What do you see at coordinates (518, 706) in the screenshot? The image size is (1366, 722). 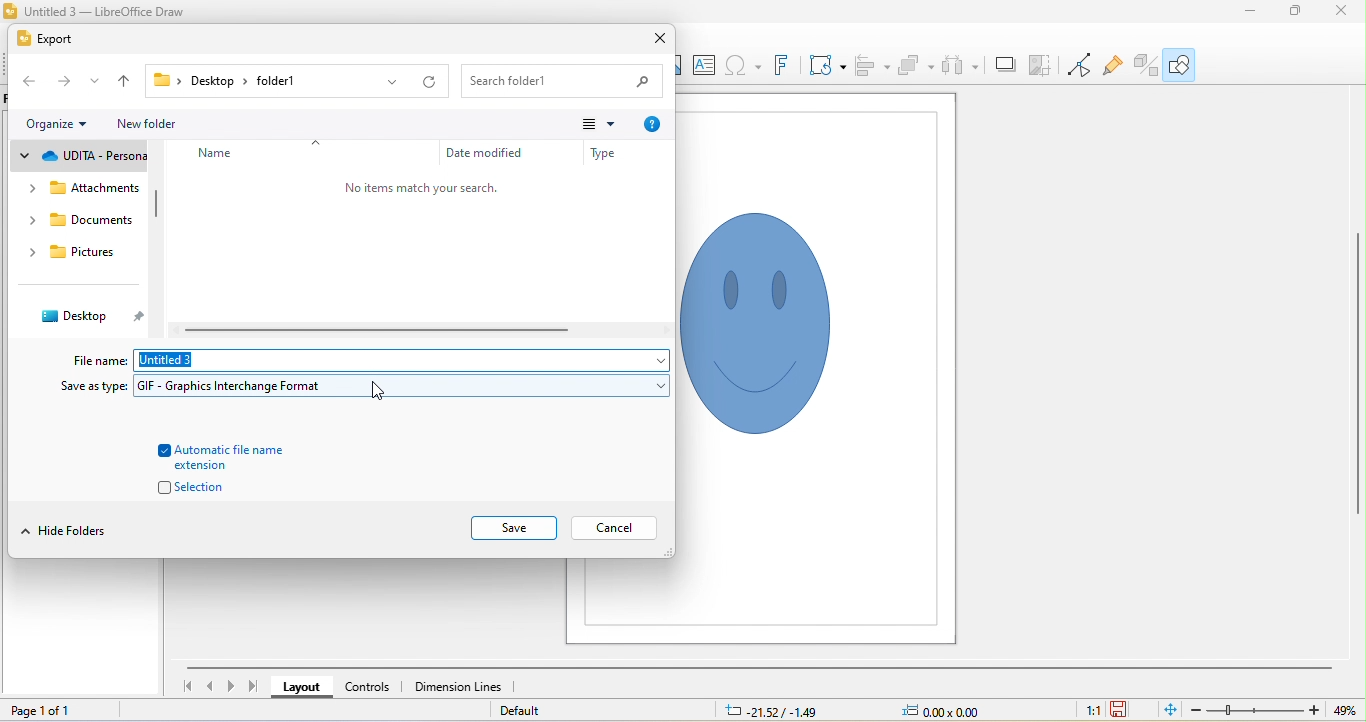 I see `default` at bounding box center [518, 706].